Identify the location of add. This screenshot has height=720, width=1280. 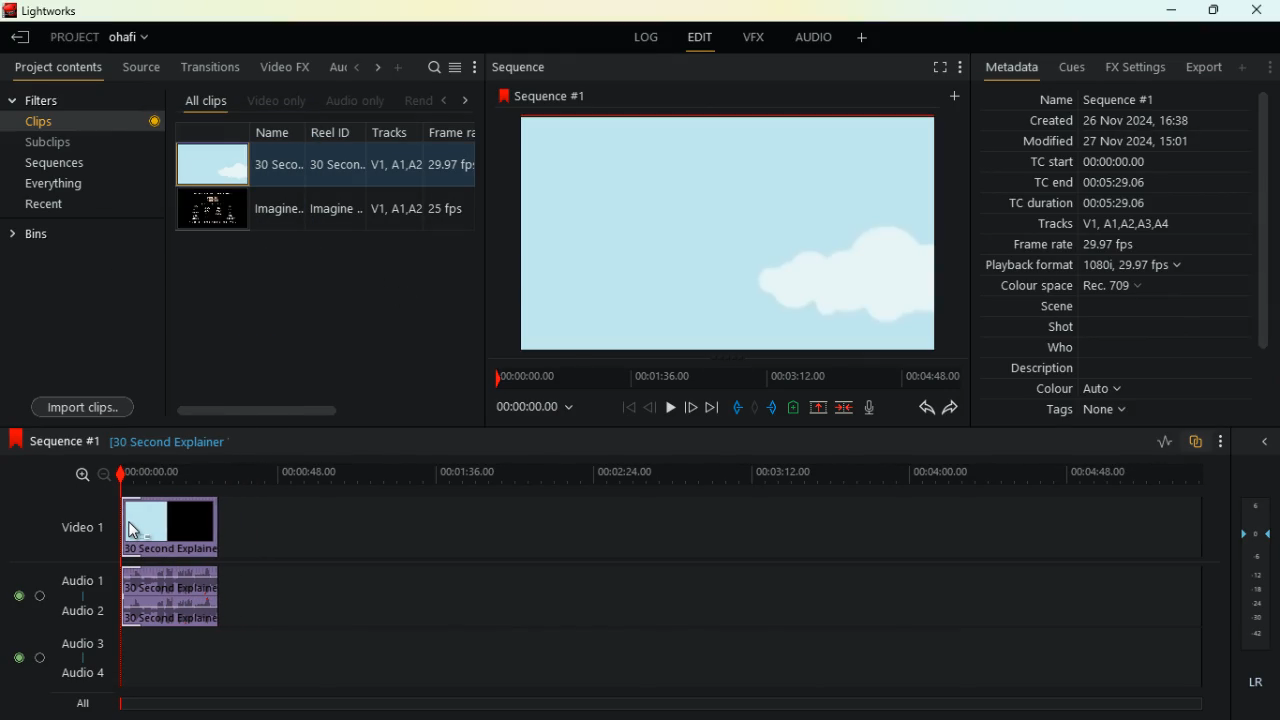
(952, 99).